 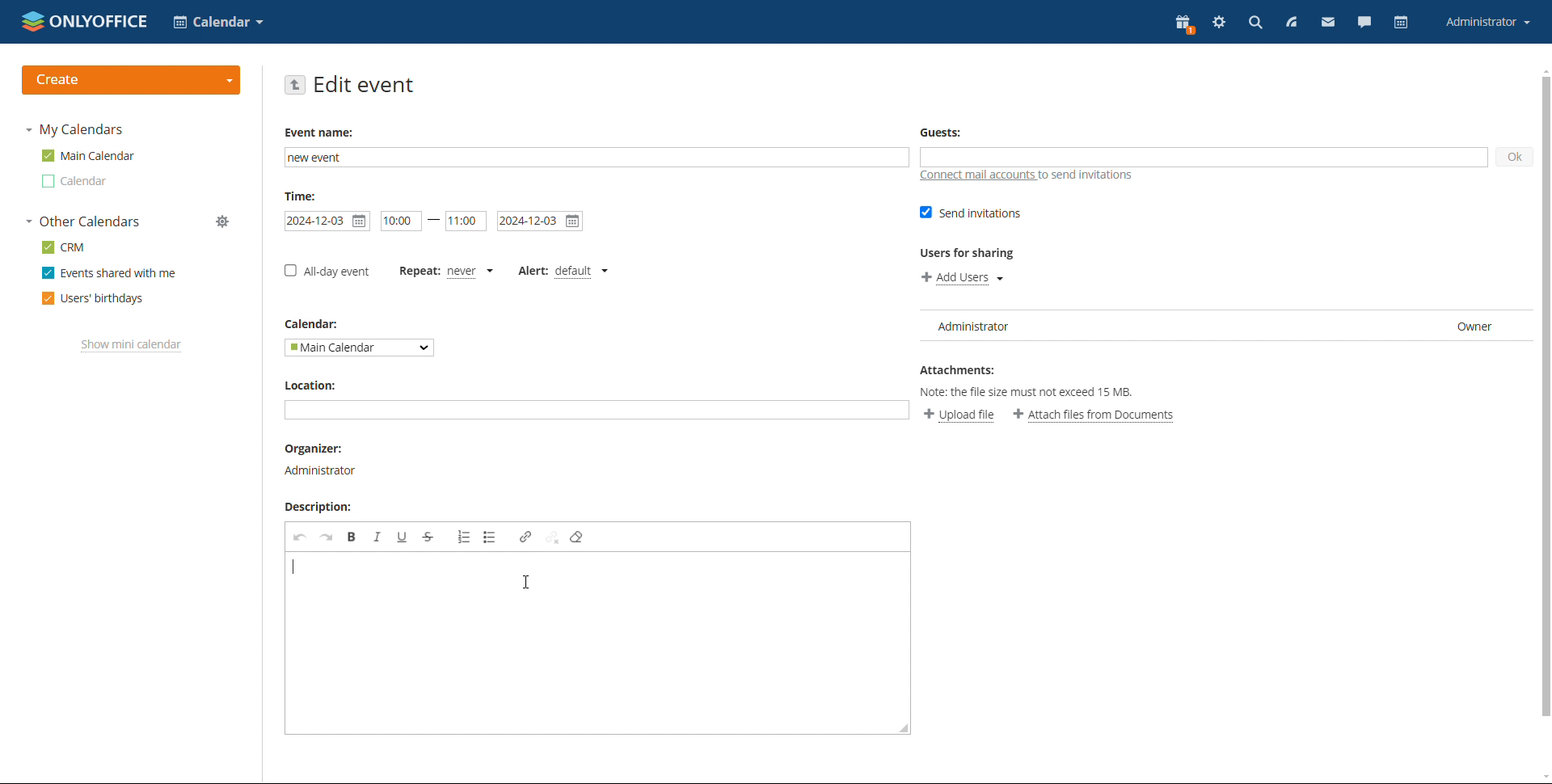 What do you see at coordinates (217, 22) in the screenshot?
I see `select application` at bounding box center [217, 22].